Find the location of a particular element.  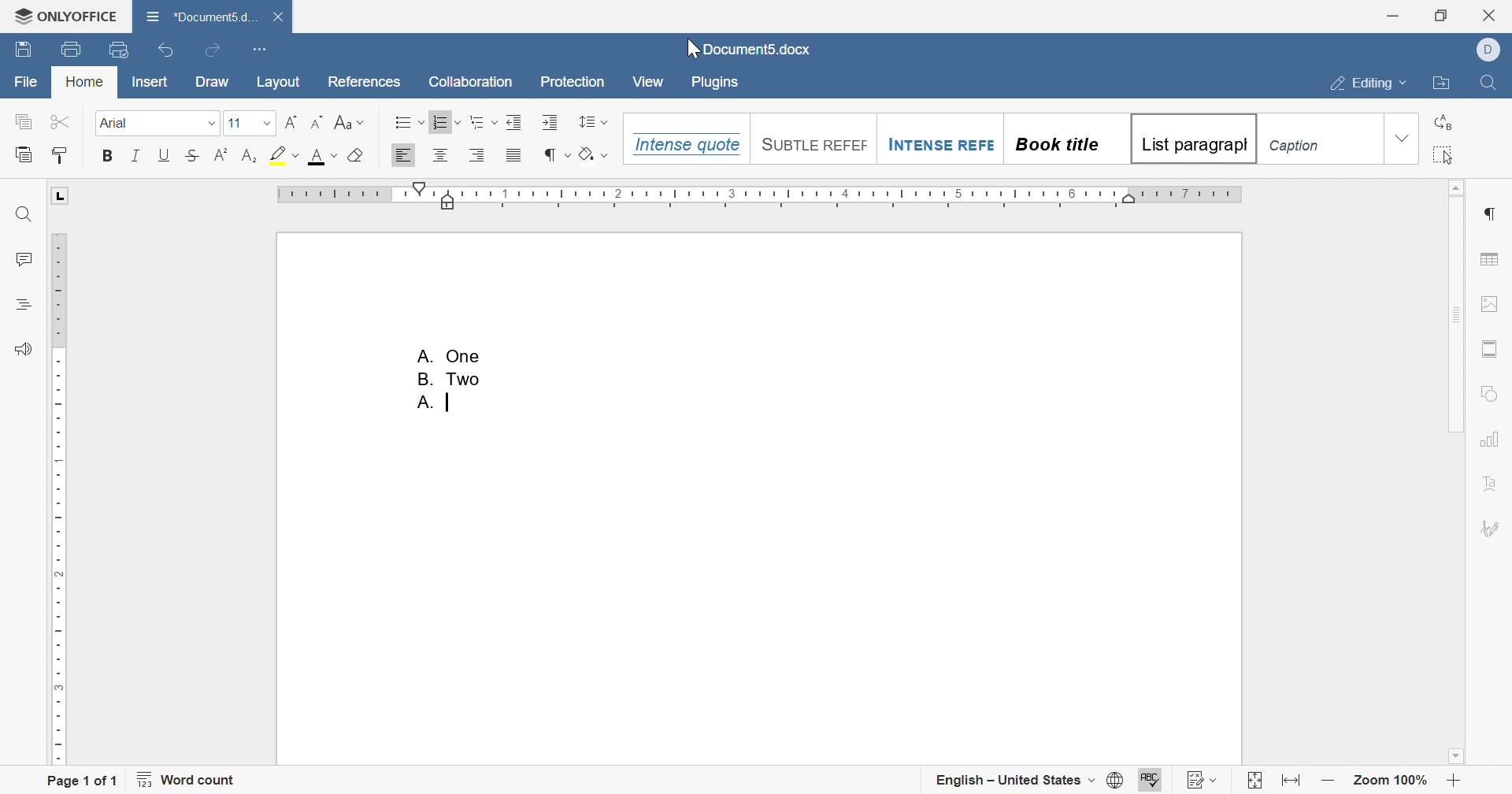

fit to width is located at coordinates (1293, 783).